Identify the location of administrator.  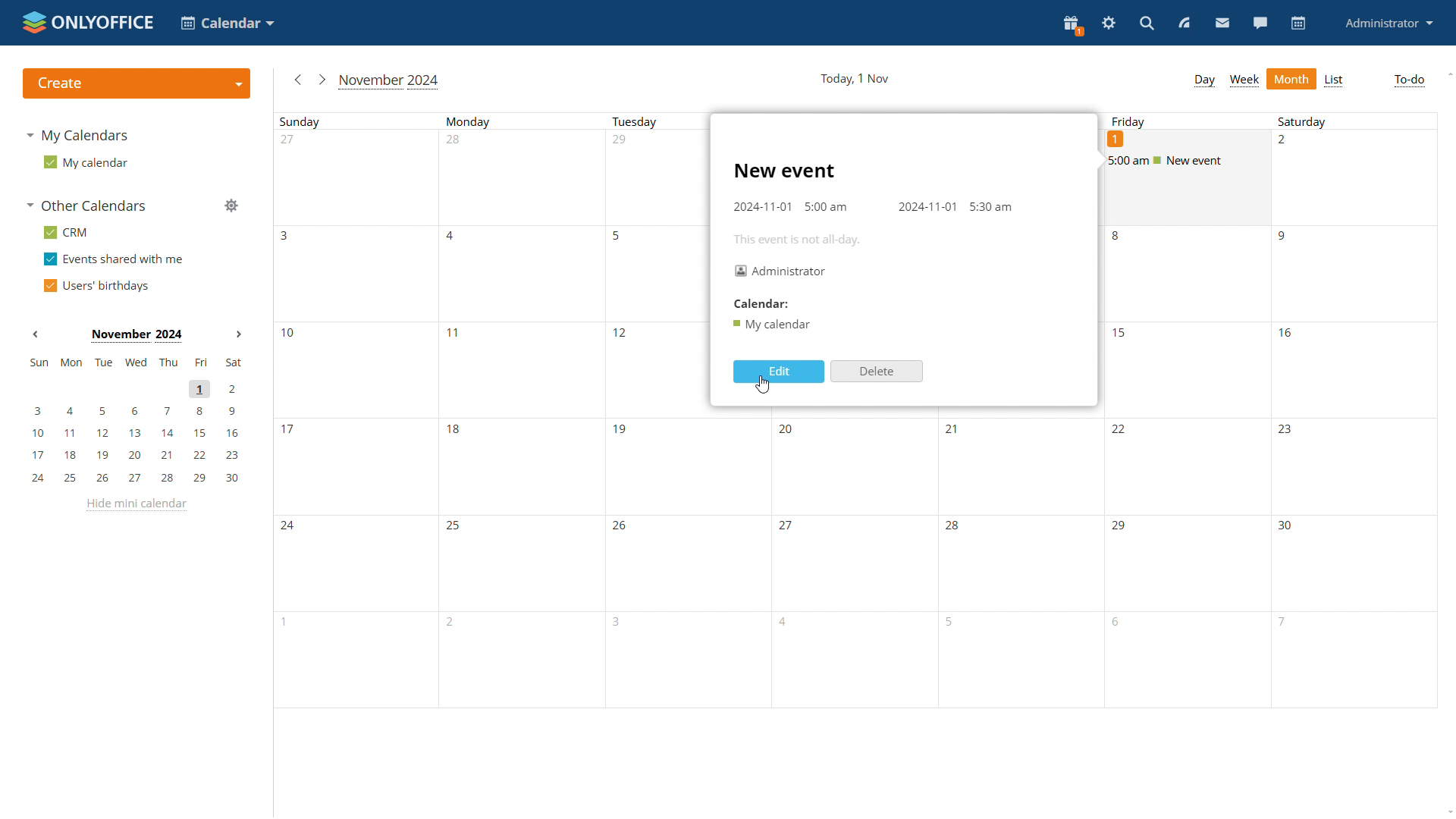
(1387, 24).